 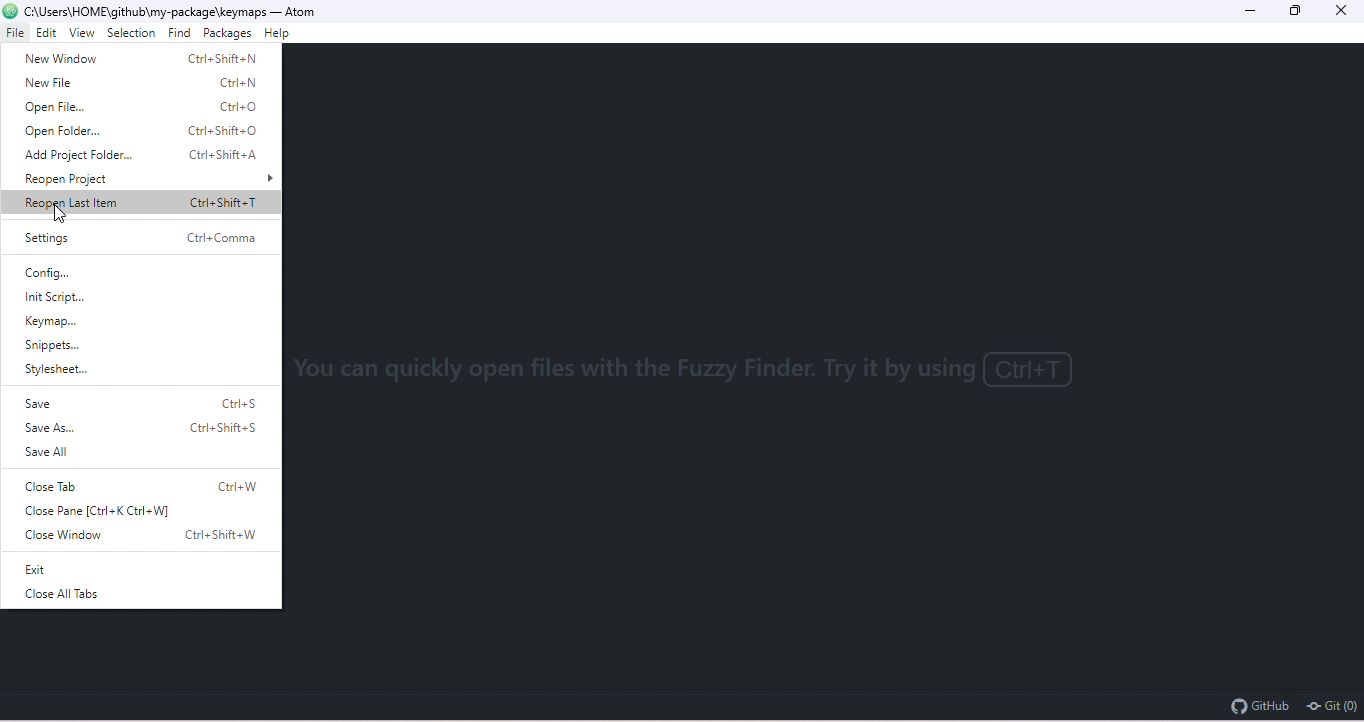 I want to click on reopen last item, so click(x=142, y=203).